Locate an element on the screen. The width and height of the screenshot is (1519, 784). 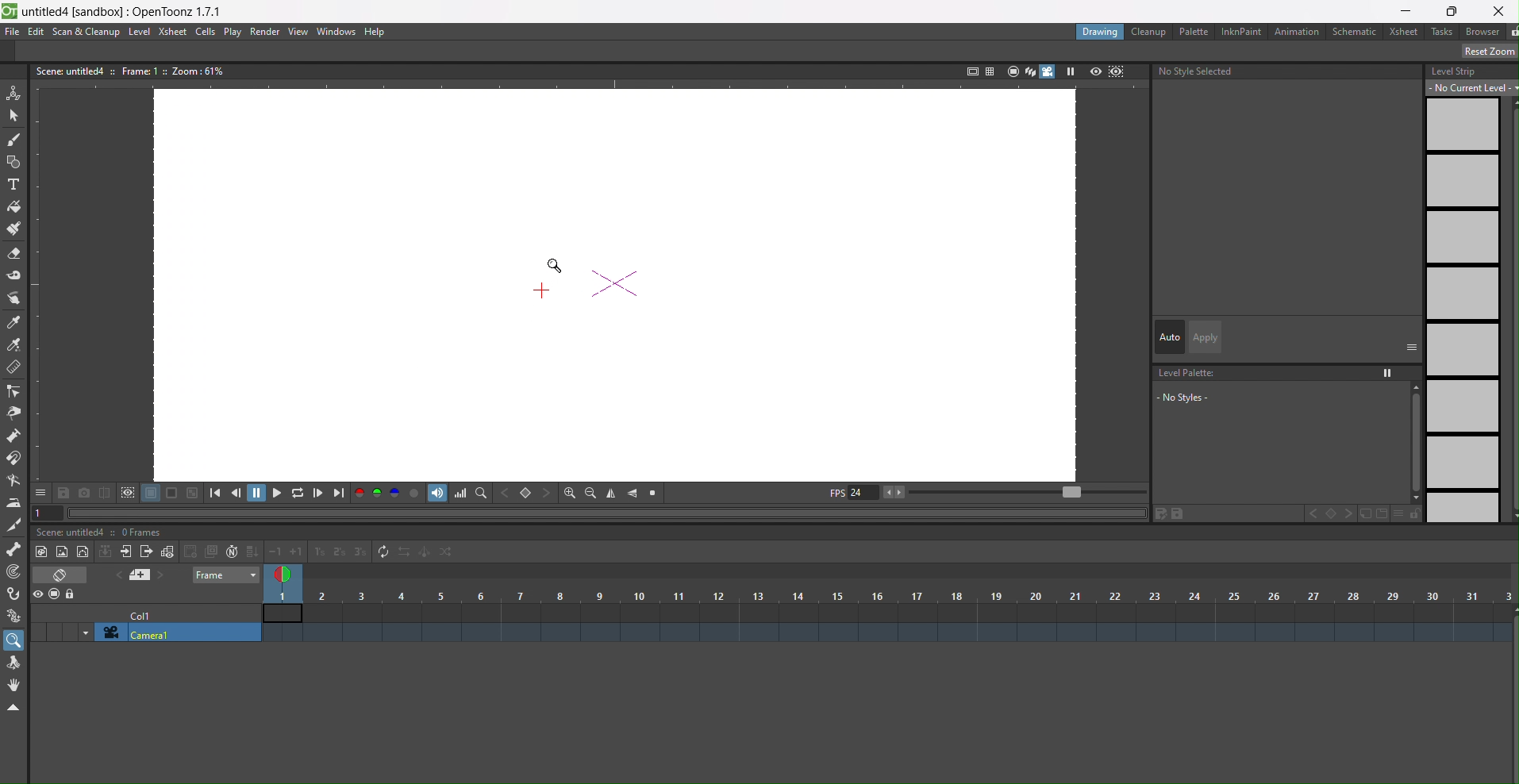
raster toonz level is located at coordinates (40, 551).